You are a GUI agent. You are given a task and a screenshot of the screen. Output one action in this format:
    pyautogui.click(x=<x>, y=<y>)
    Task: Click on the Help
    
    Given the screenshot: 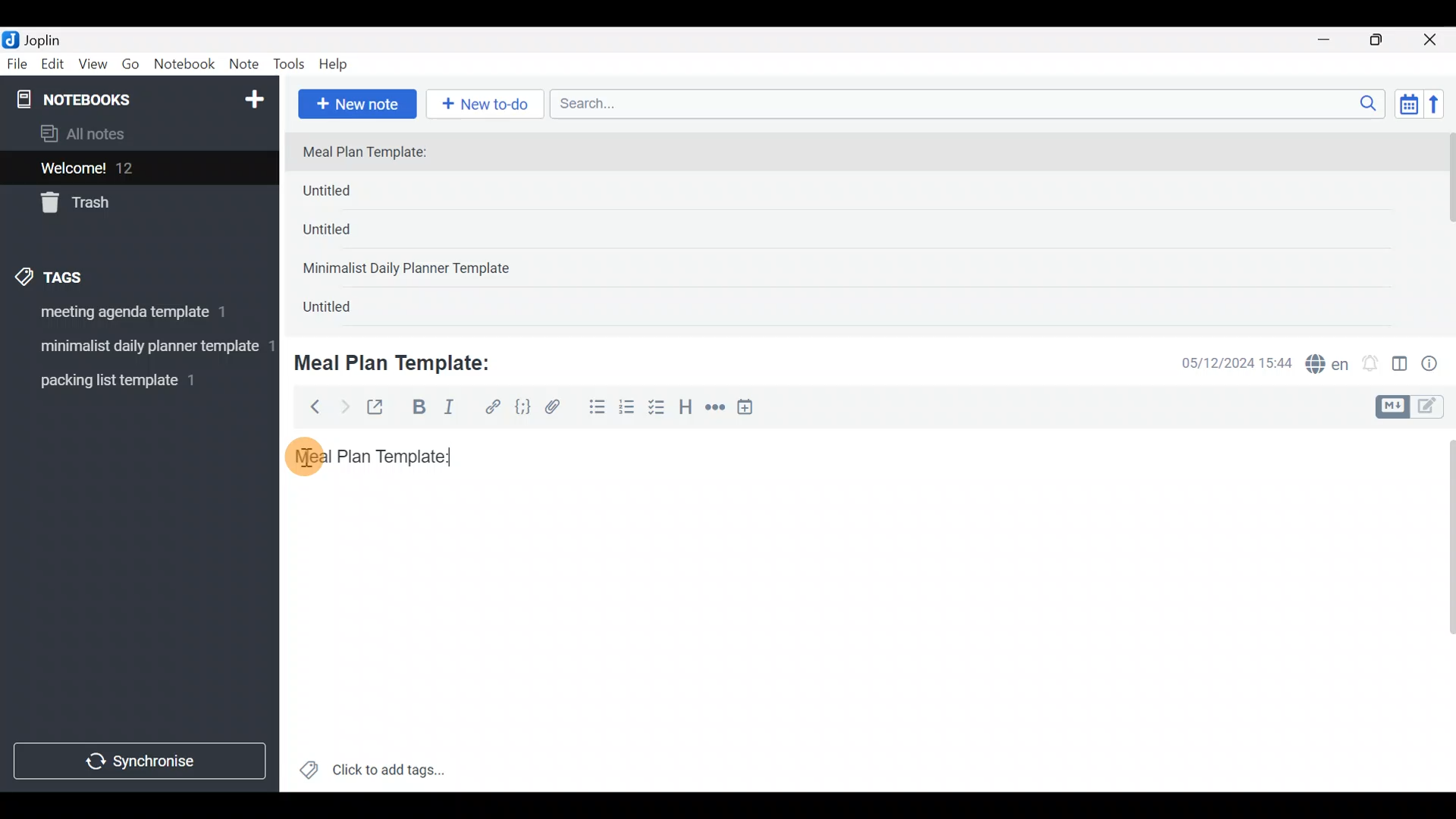 What is the action you would take?
    pyautogui.click(x=339, y=61)
    